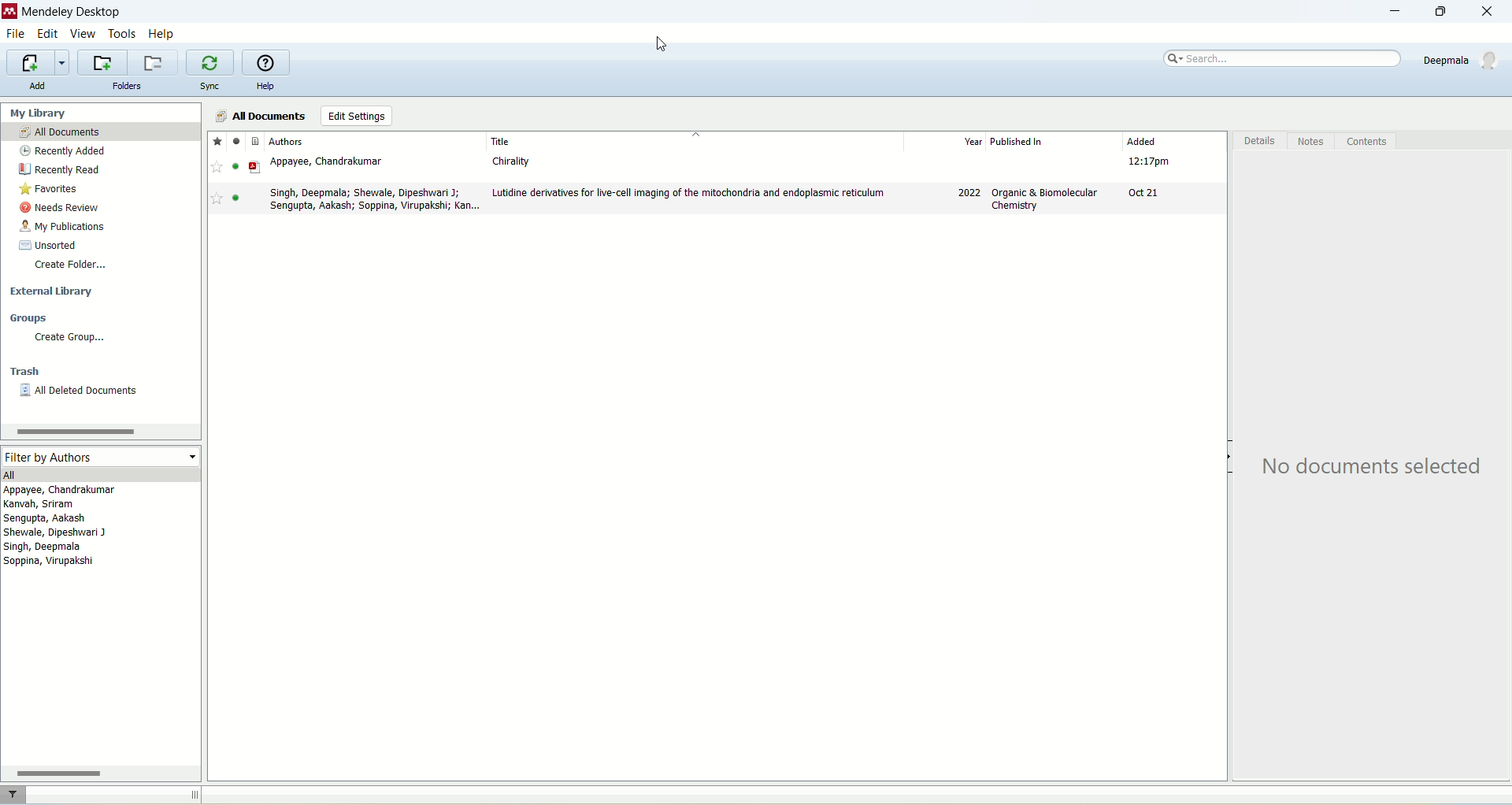  Describe the element at coordinates (74, 265) in the screenshot. I see `create folder` at that location.